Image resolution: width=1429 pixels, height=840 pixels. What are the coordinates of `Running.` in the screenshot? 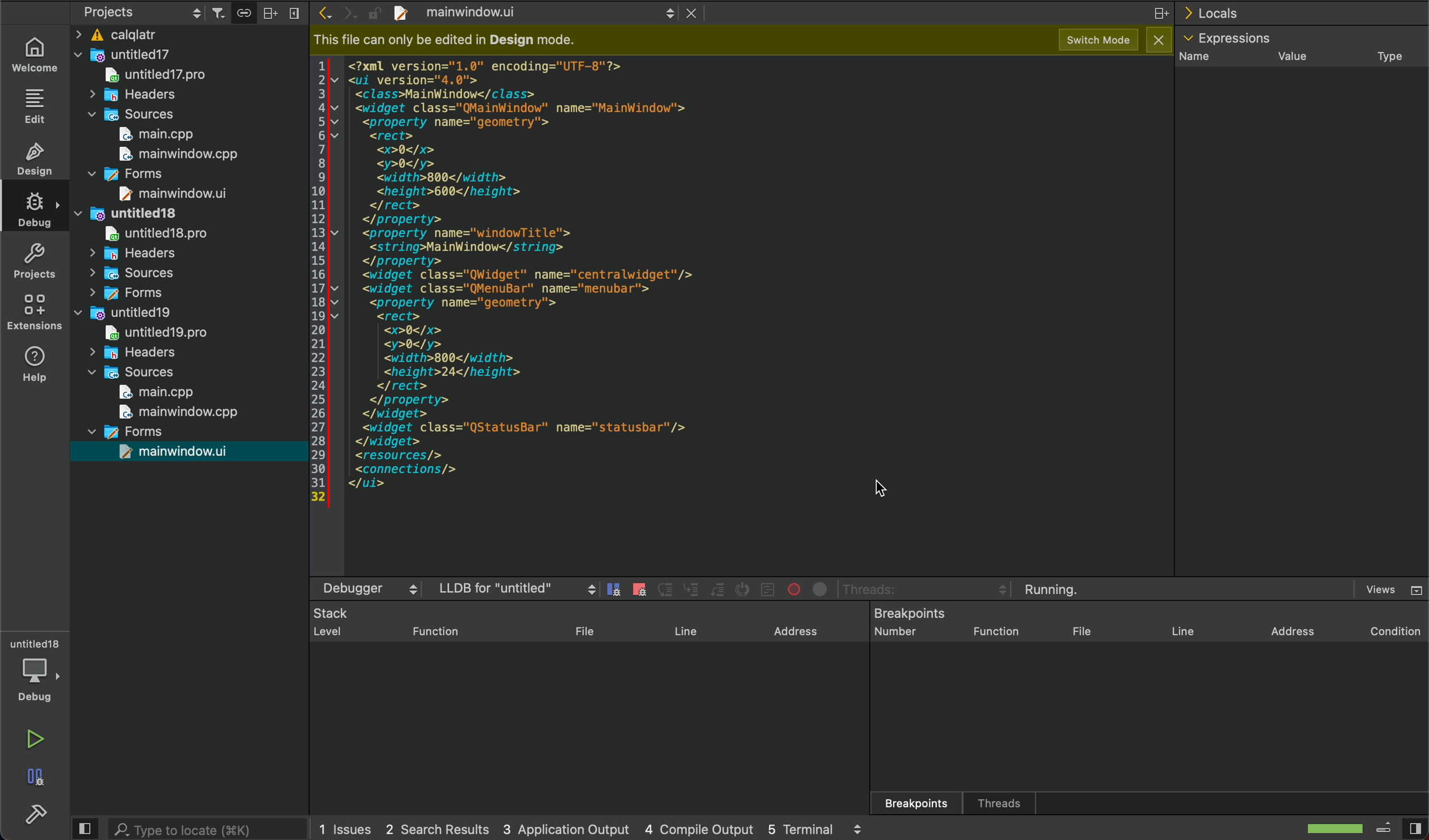 It's located at (1055, 585).